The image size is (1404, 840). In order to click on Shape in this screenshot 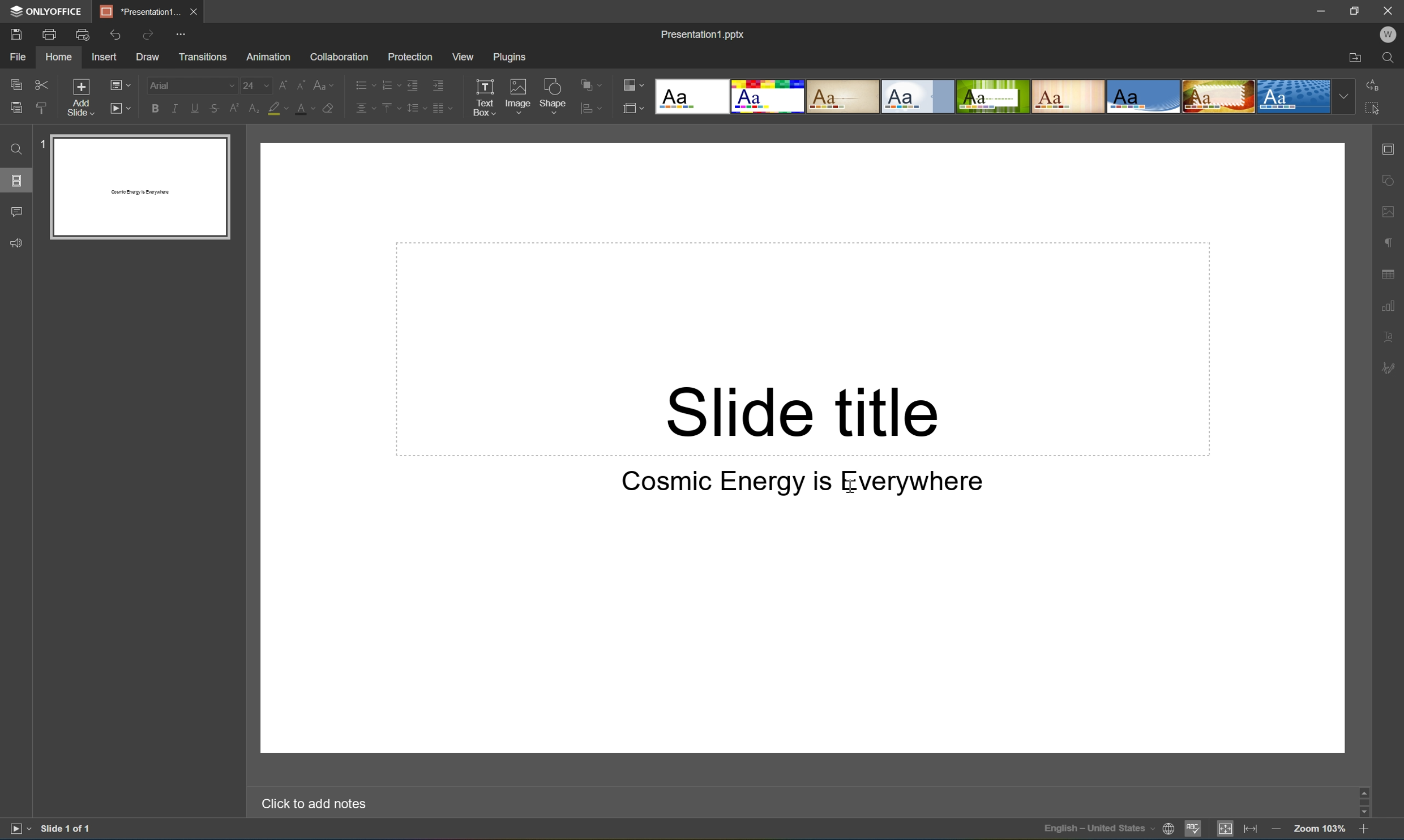, I will do `click(553, 95)`.